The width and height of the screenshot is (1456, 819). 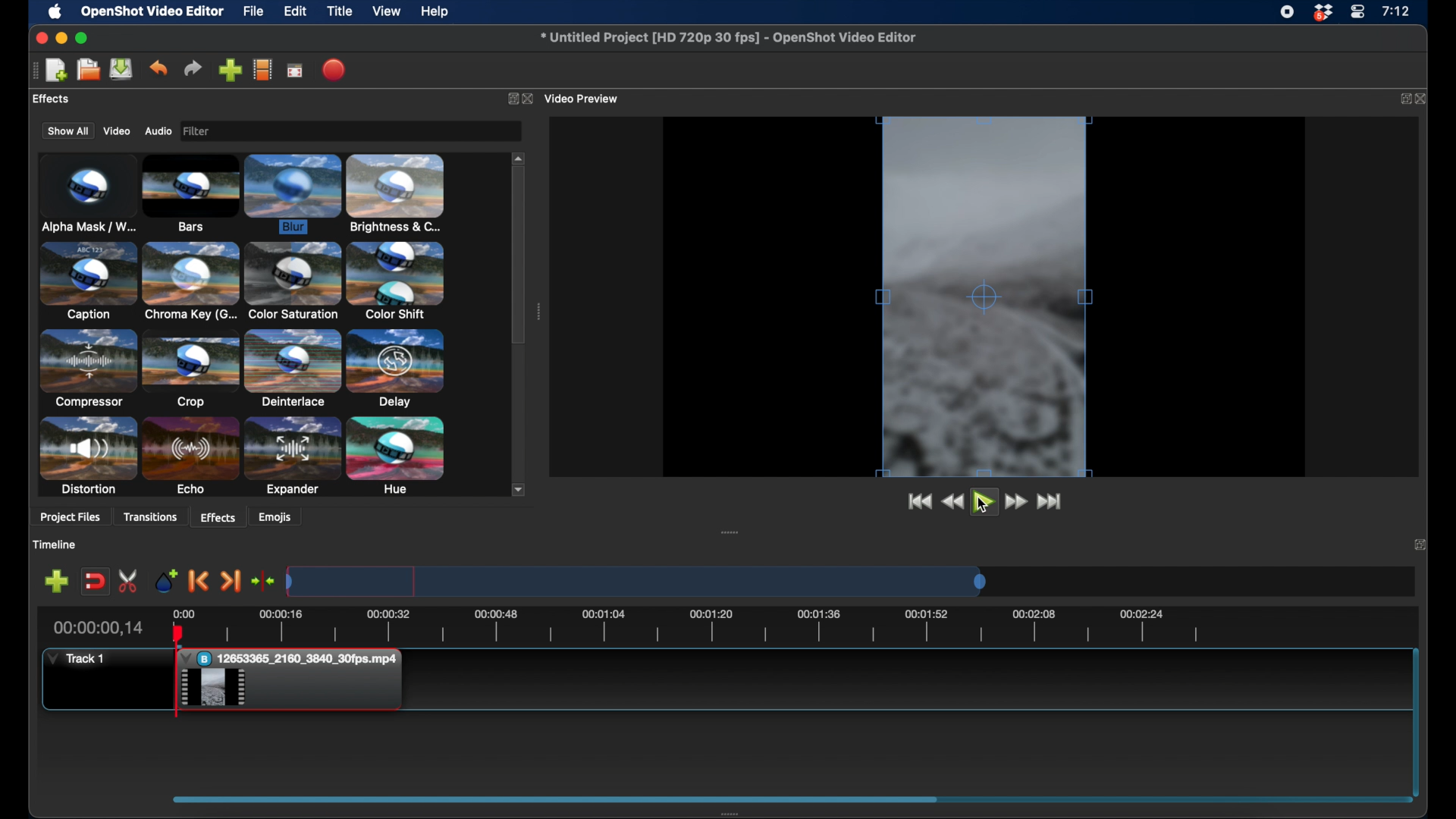 What do you see at coordinates (1404, 99) in the screenshot?
I see `expand` at bounding box center [1404, 99].